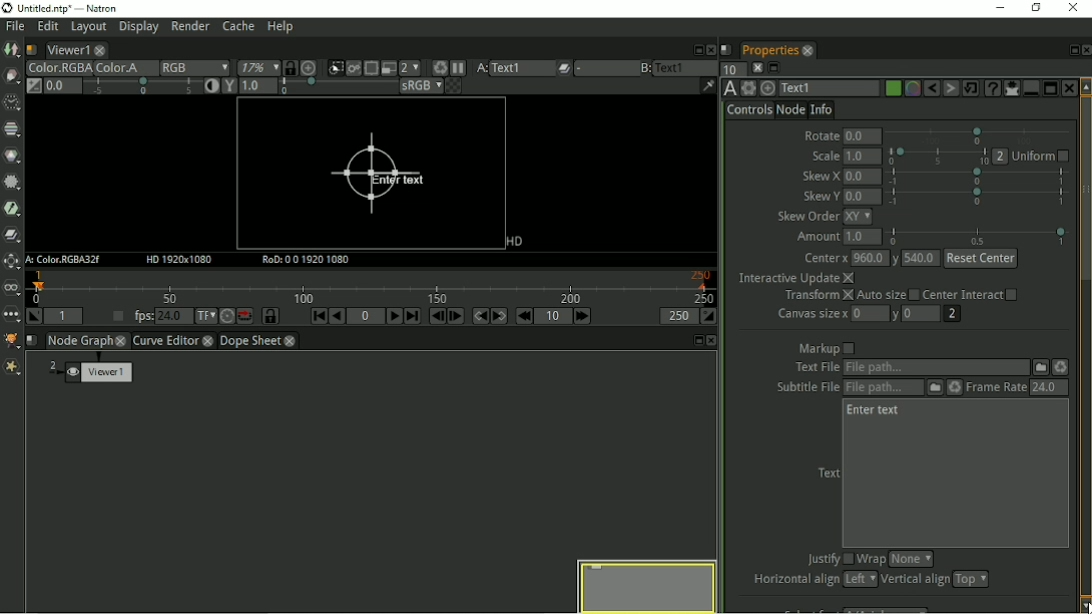 This screenshot has width=1092, height=614. Describe the element at coordinates (142, 86) in the screenshot. I see `selection bar` at that location.